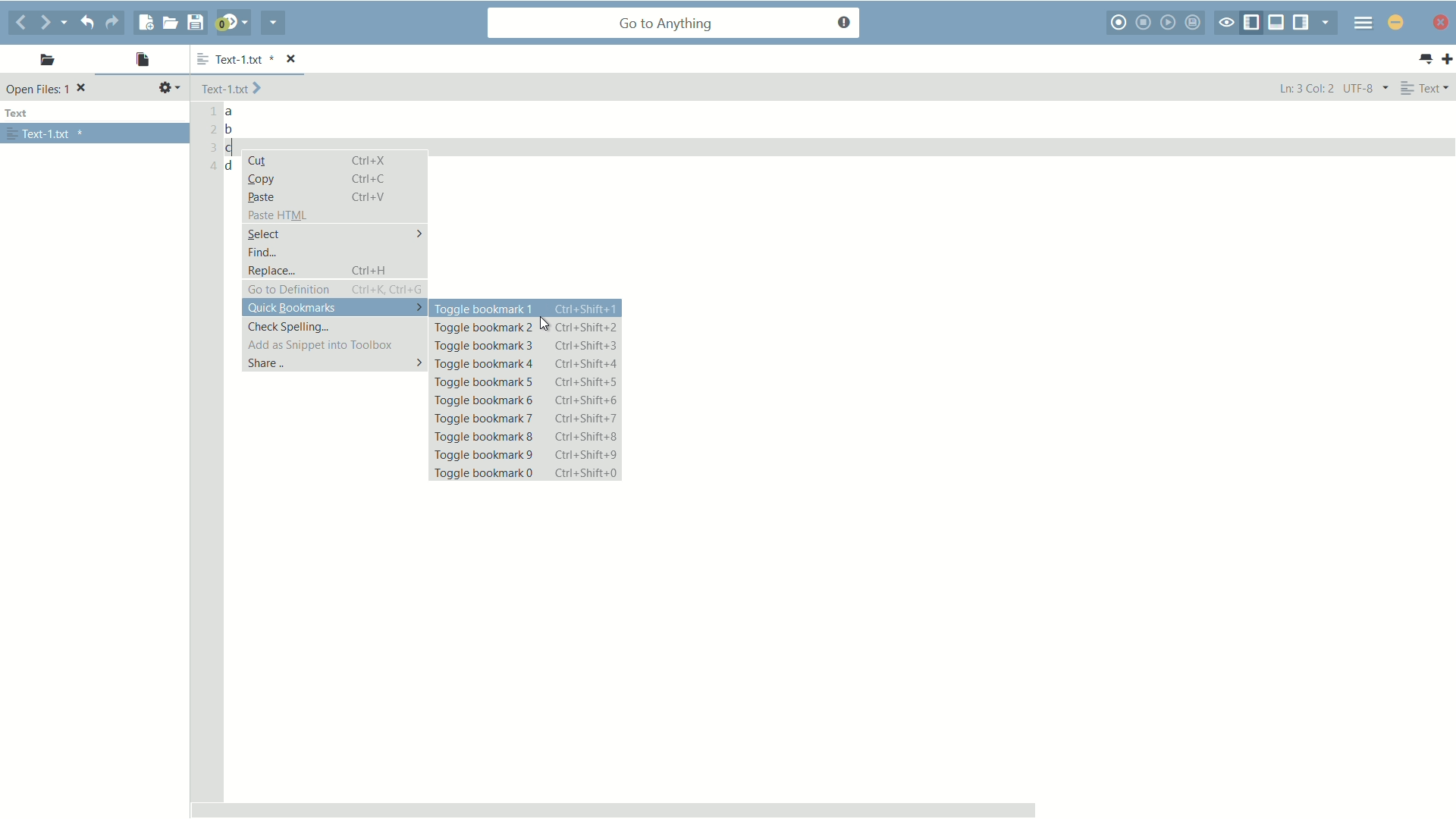 The width and height of the screenshot is (1456, 819). What do you see at coordinates (1254, 21) in the screenshot?
I see `show/hide left pane` at bounding box center [1254, 21].